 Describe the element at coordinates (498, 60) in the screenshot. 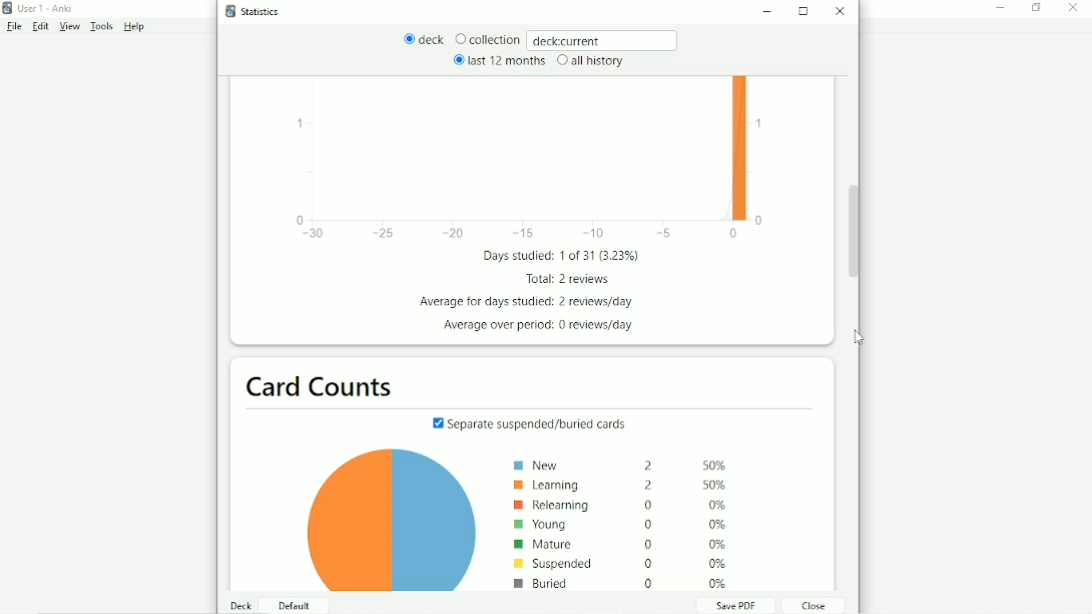

I see `last 12 months` at that location.